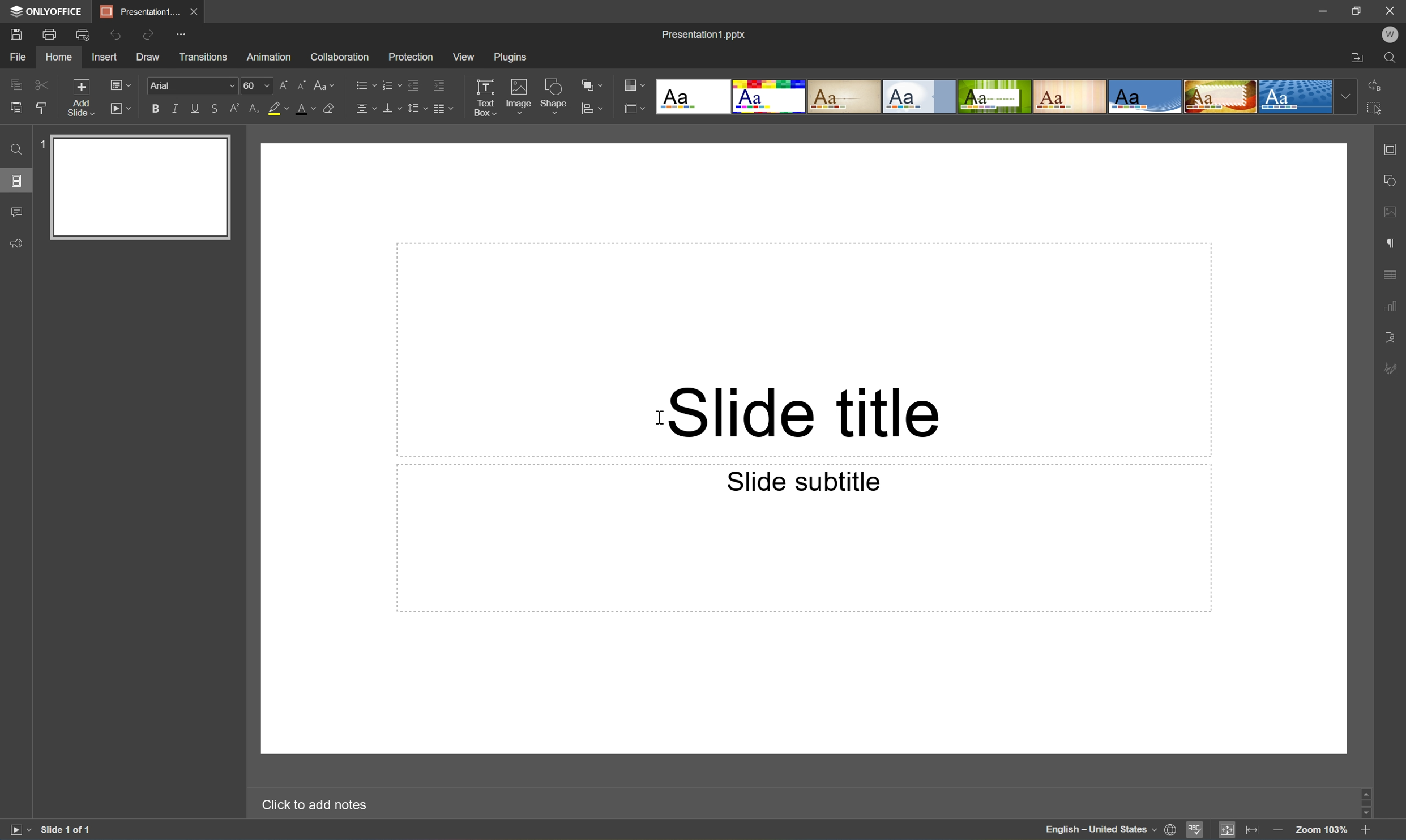  Describe the element at coordinates (994, 97) in the screenshot. I see `Type of slides` at that location.